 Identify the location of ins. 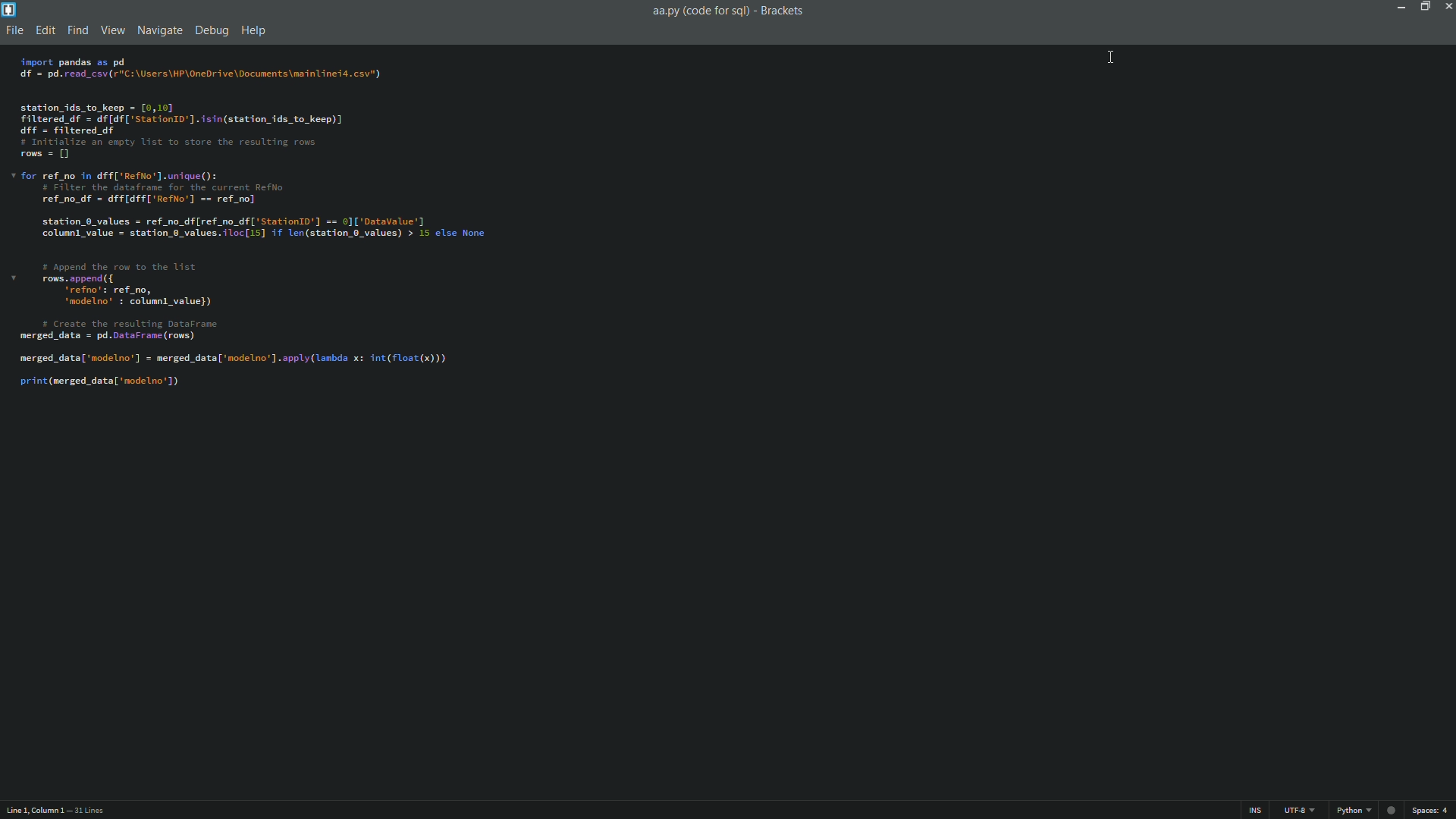
(1257, 809).